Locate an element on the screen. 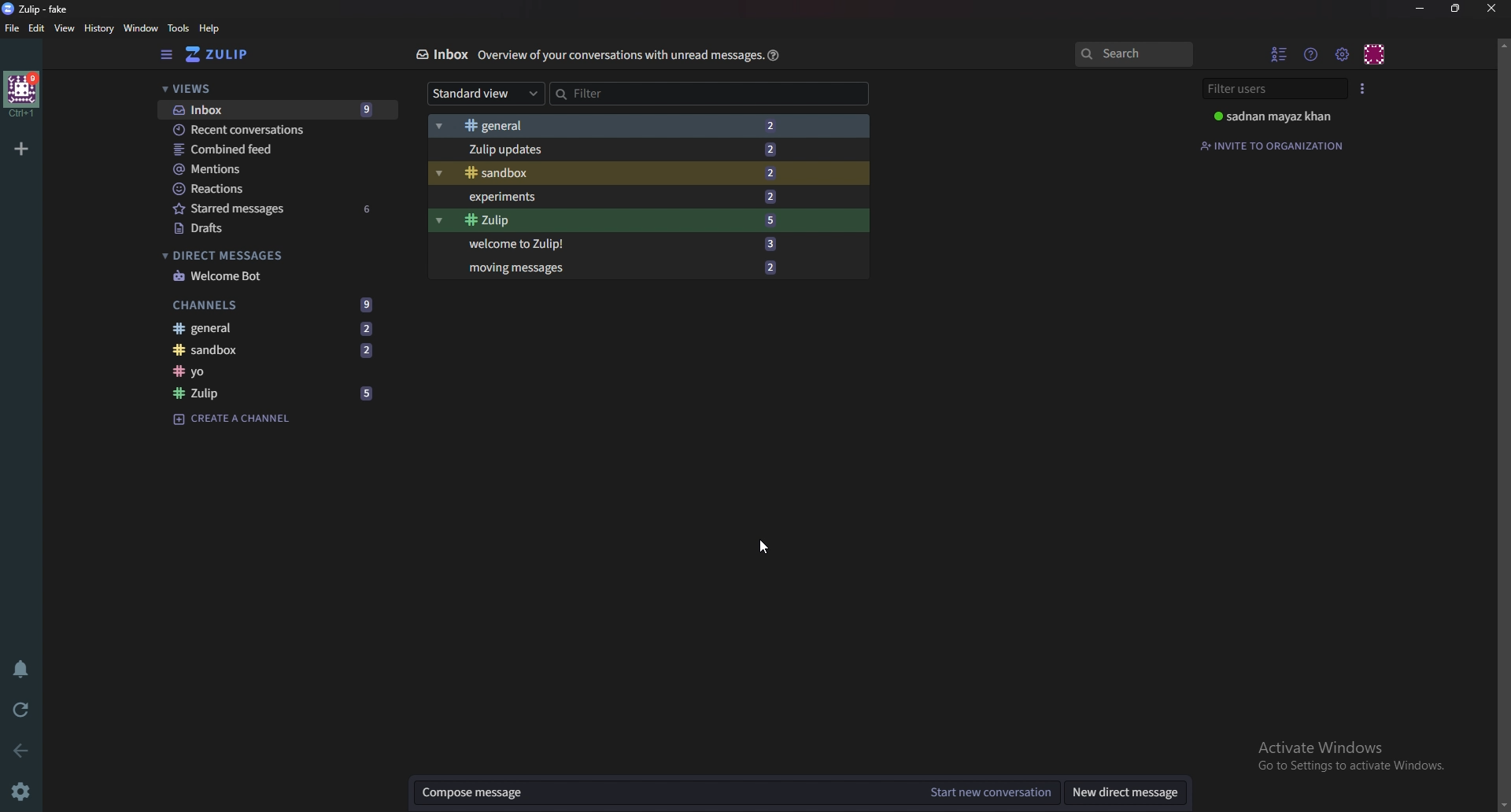 The width and height of the screenshot is (1511, 812). User list style is located at coordinates (1364, 90).